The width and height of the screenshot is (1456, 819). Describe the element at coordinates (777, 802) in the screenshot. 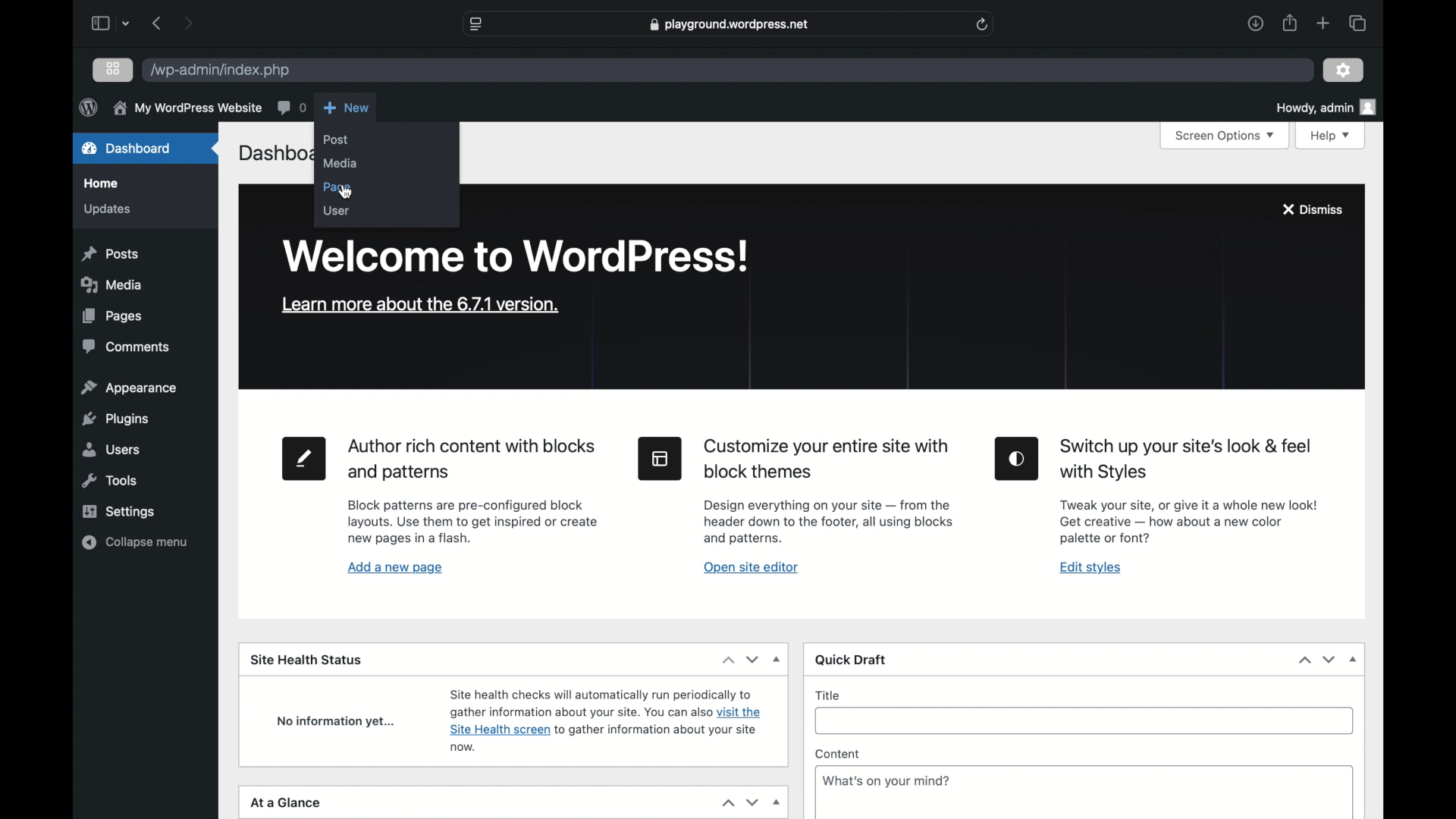

I see `dropdown` at that location.